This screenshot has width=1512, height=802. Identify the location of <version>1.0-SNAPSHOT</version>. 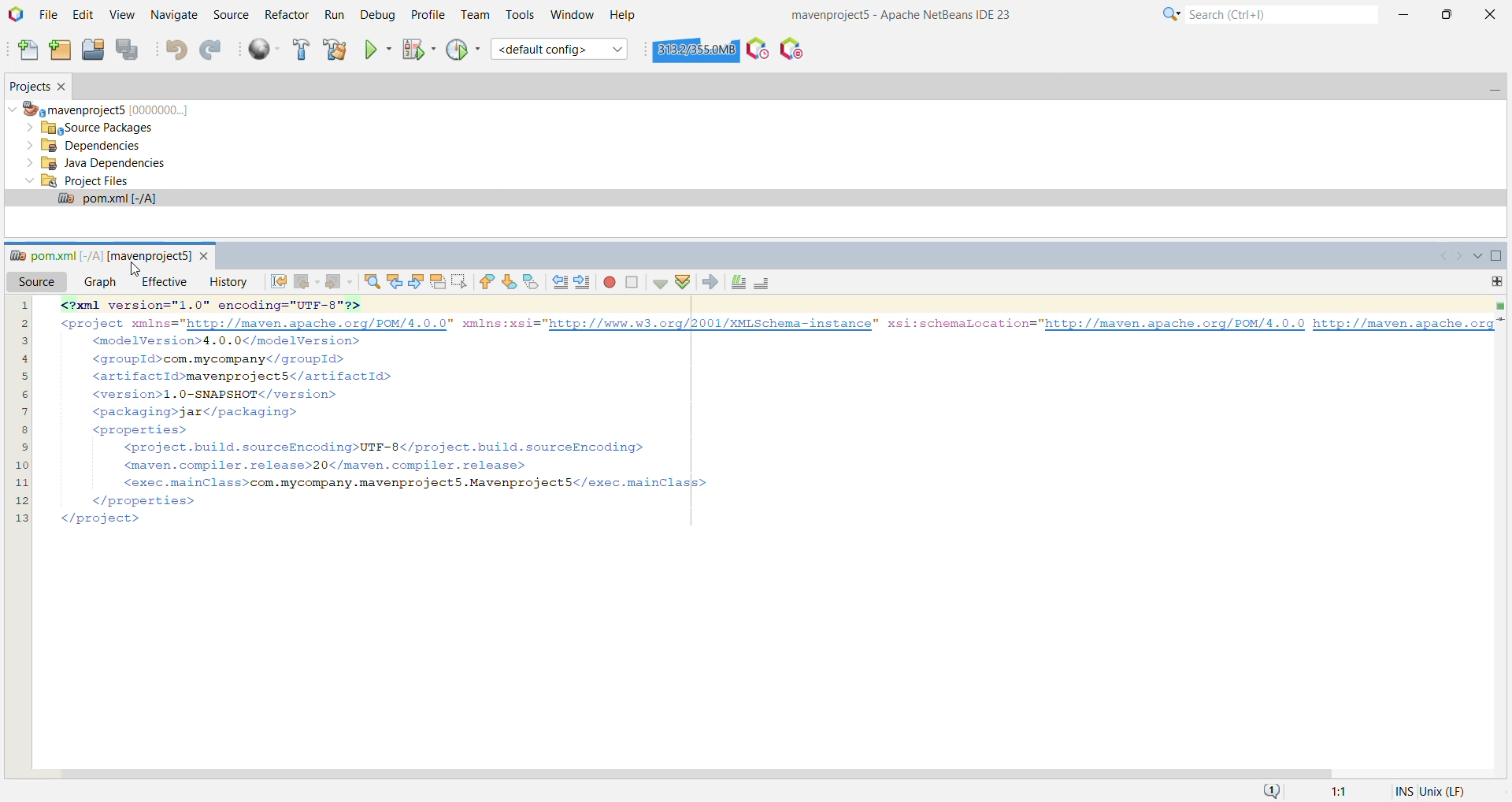
(219, 394).